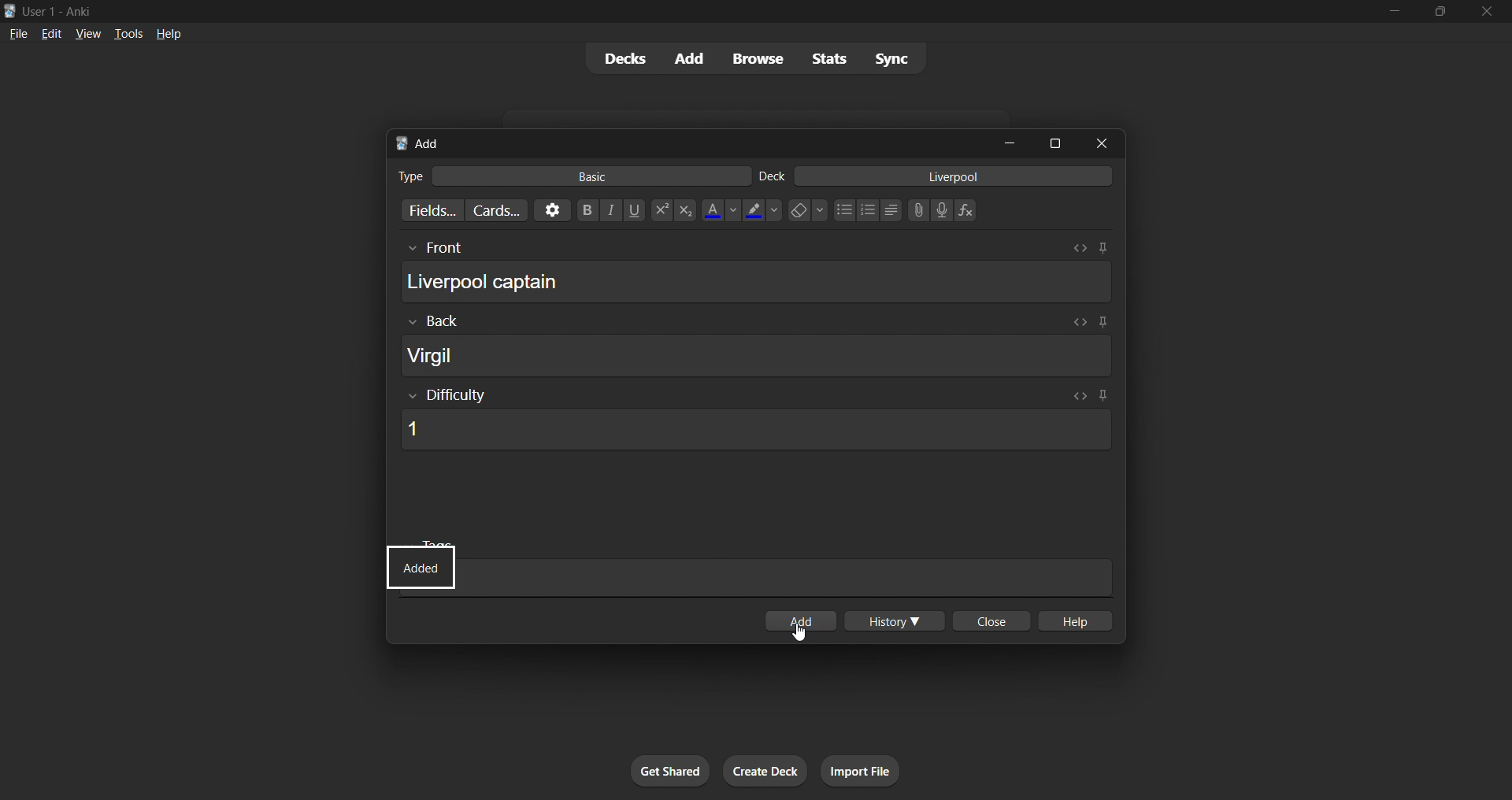 This screenshot has height=800, width=1512. What do you see at coordinates (798, 579) in the screenshot?
I see `card tags input` at bounding box center [798, 579].